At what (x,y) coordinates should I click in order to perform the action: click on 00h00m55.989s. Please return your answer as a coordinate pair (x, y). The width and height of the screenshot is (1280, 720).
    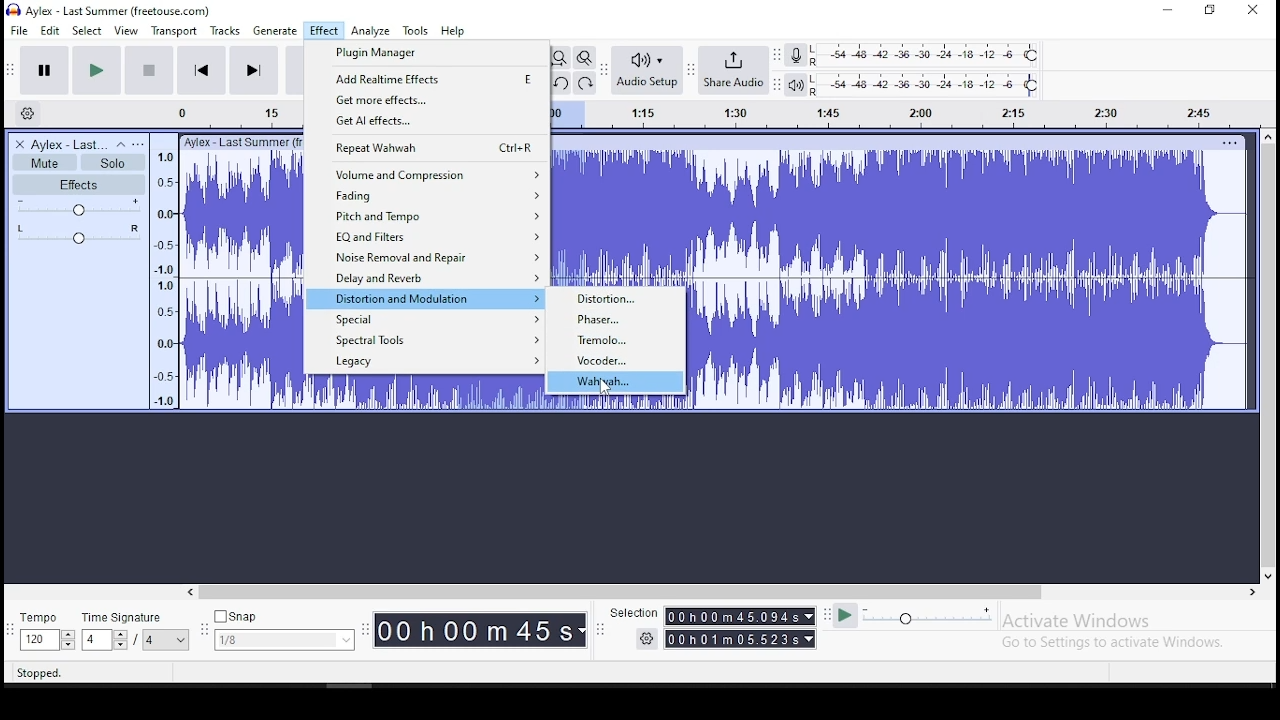
    Looking at the image, I should click on (741, 616).